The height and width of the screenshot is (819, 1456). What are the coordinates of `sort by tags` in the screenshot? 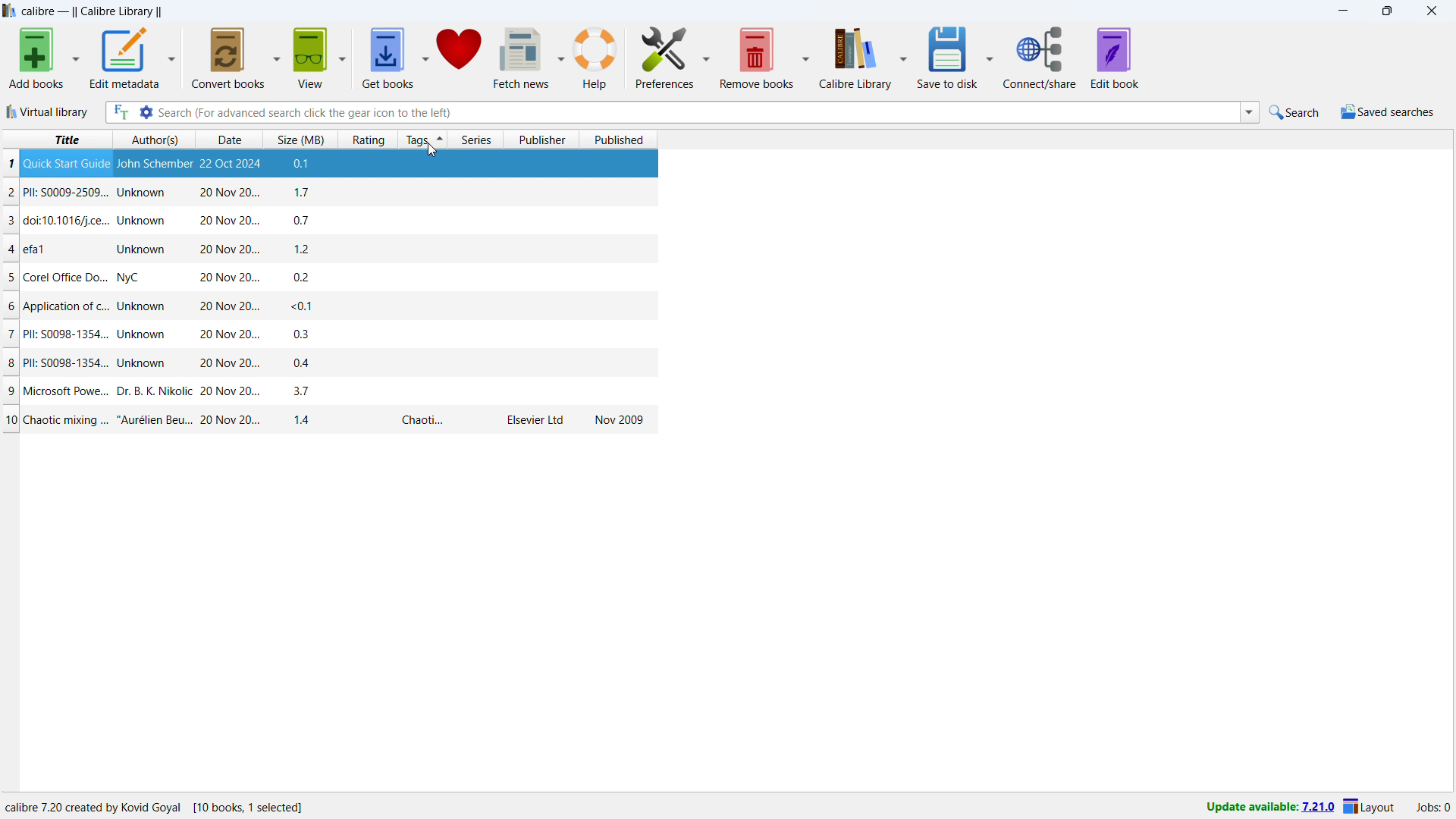 It's located at (416, 140).